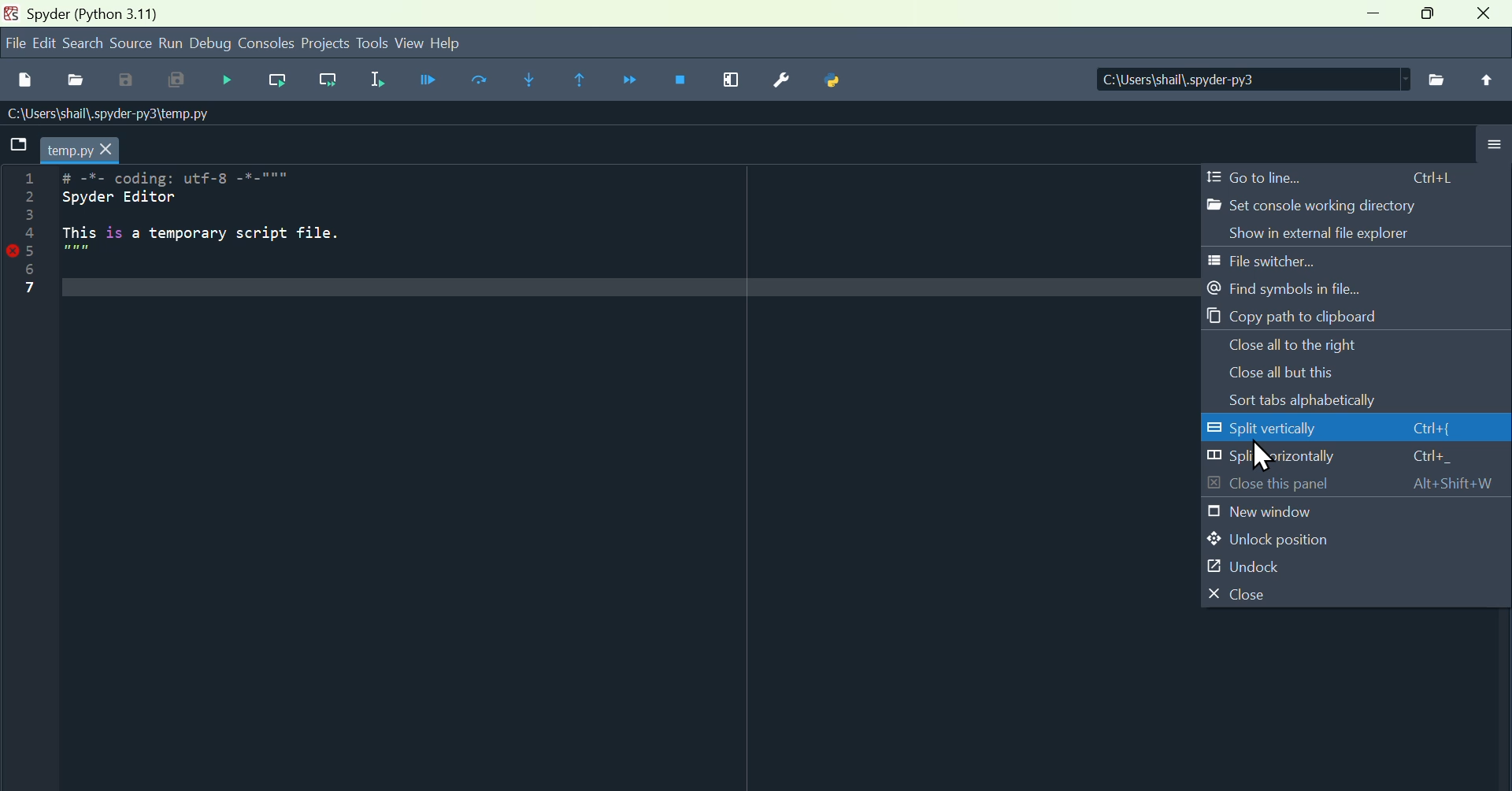 The image size is (1512, 791). I want to click on close, so click(1343, 605).